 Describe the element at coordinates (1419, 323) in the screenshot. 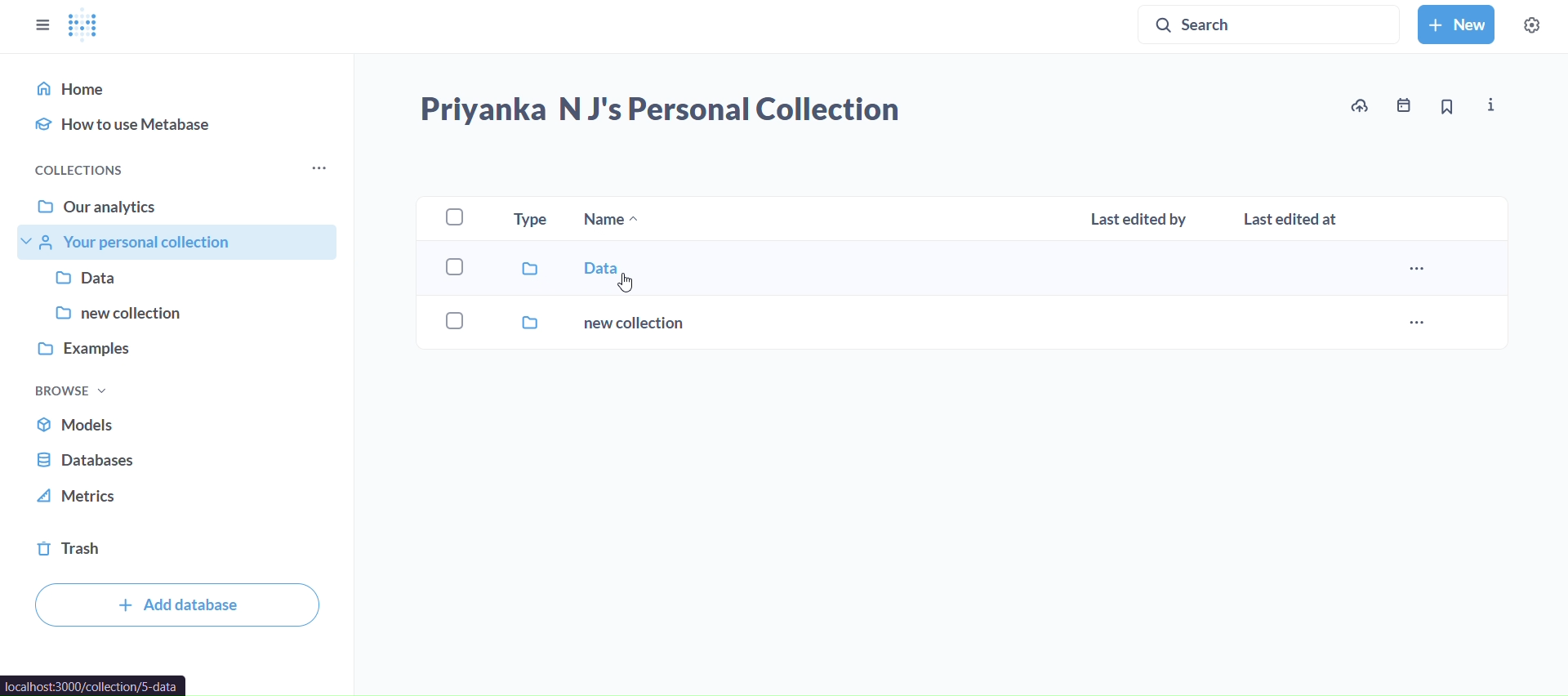

I see `more` at that location.